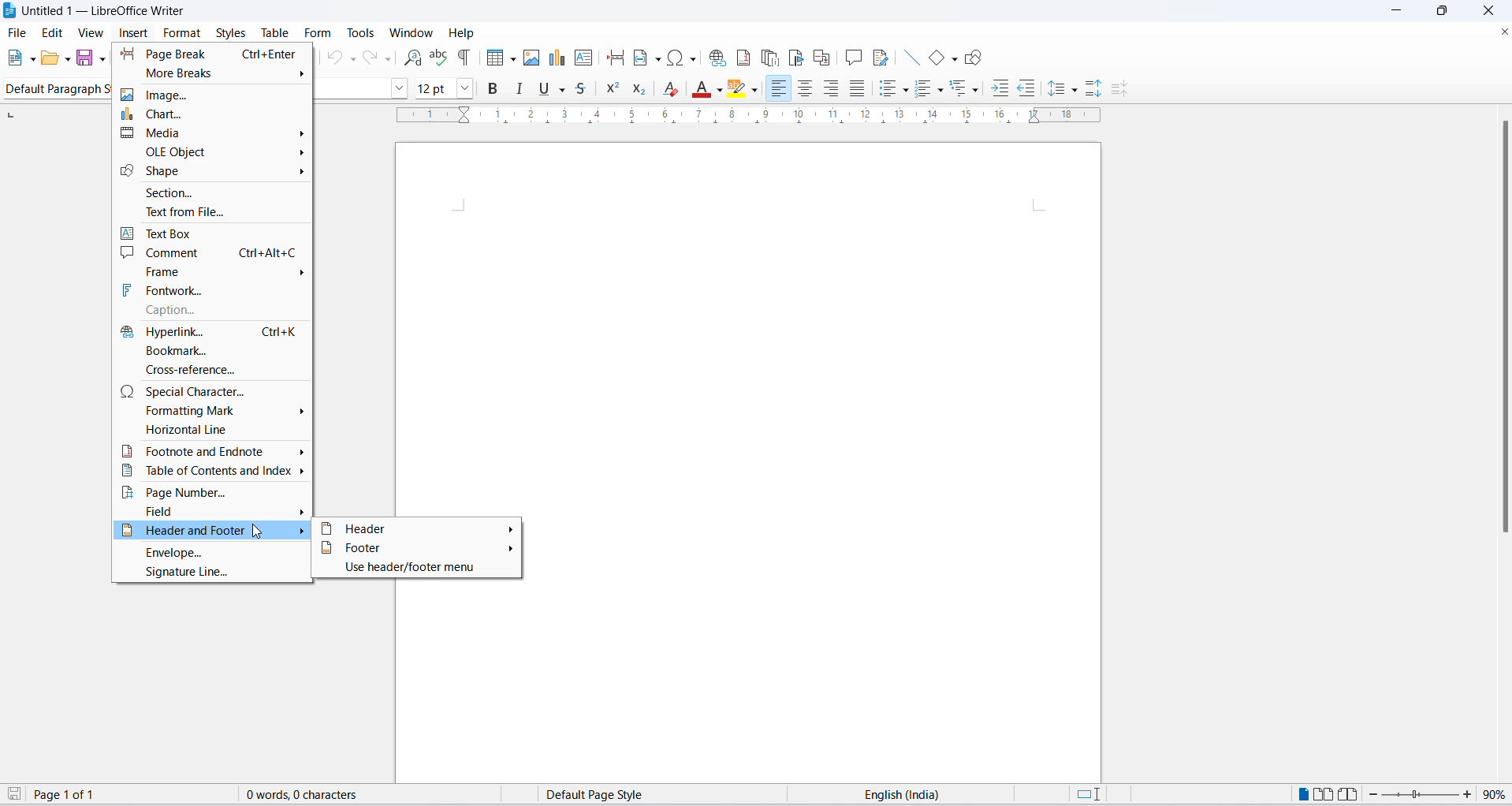 Image resolution: width=1512 pixels, height=806 pixels. I want to click on new file, so click(15, 58).